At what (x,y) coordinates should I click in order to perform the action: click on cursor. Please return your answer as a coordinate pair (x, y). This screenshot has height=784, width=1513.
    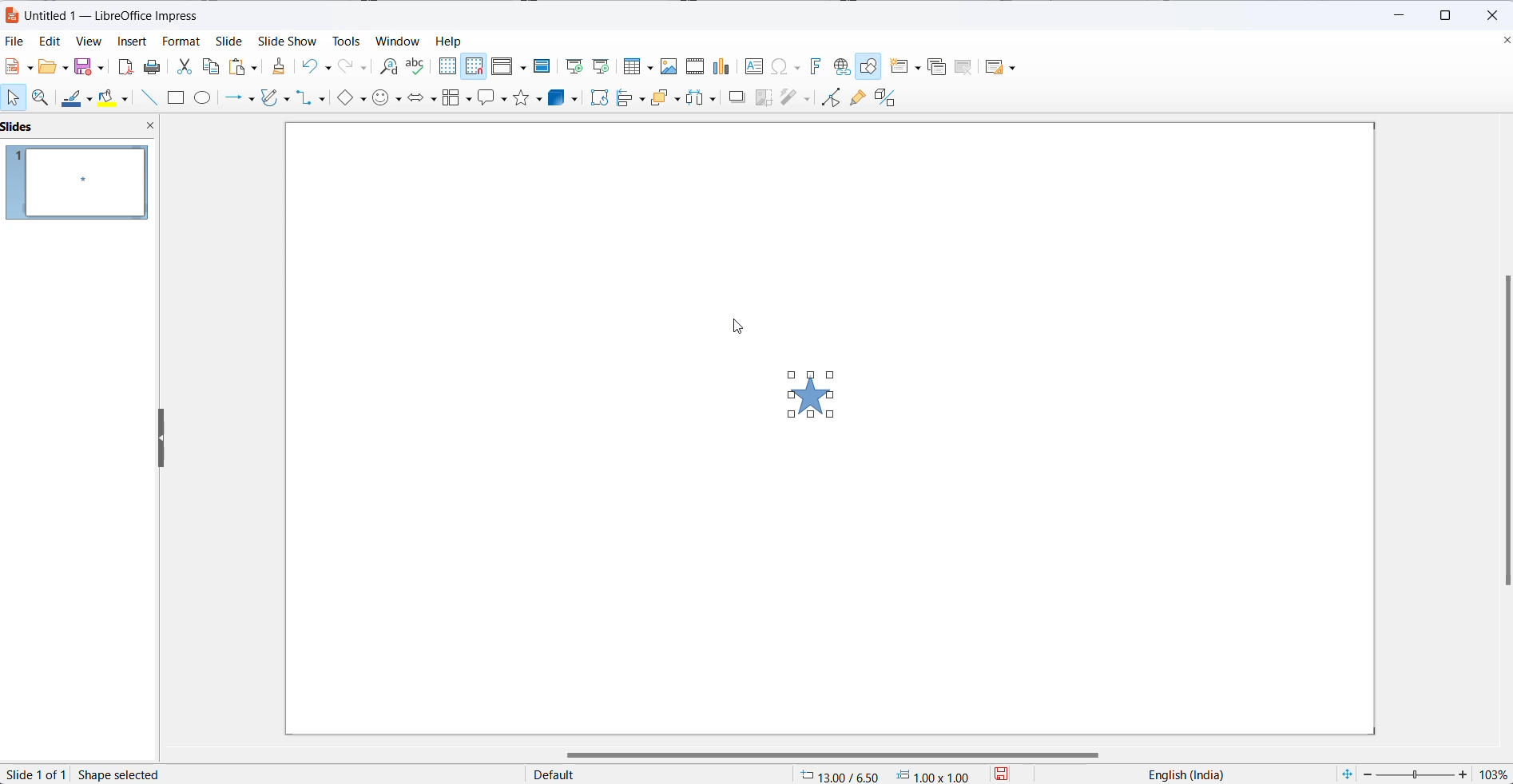
    Looking at the image, I should click on (745, 333).